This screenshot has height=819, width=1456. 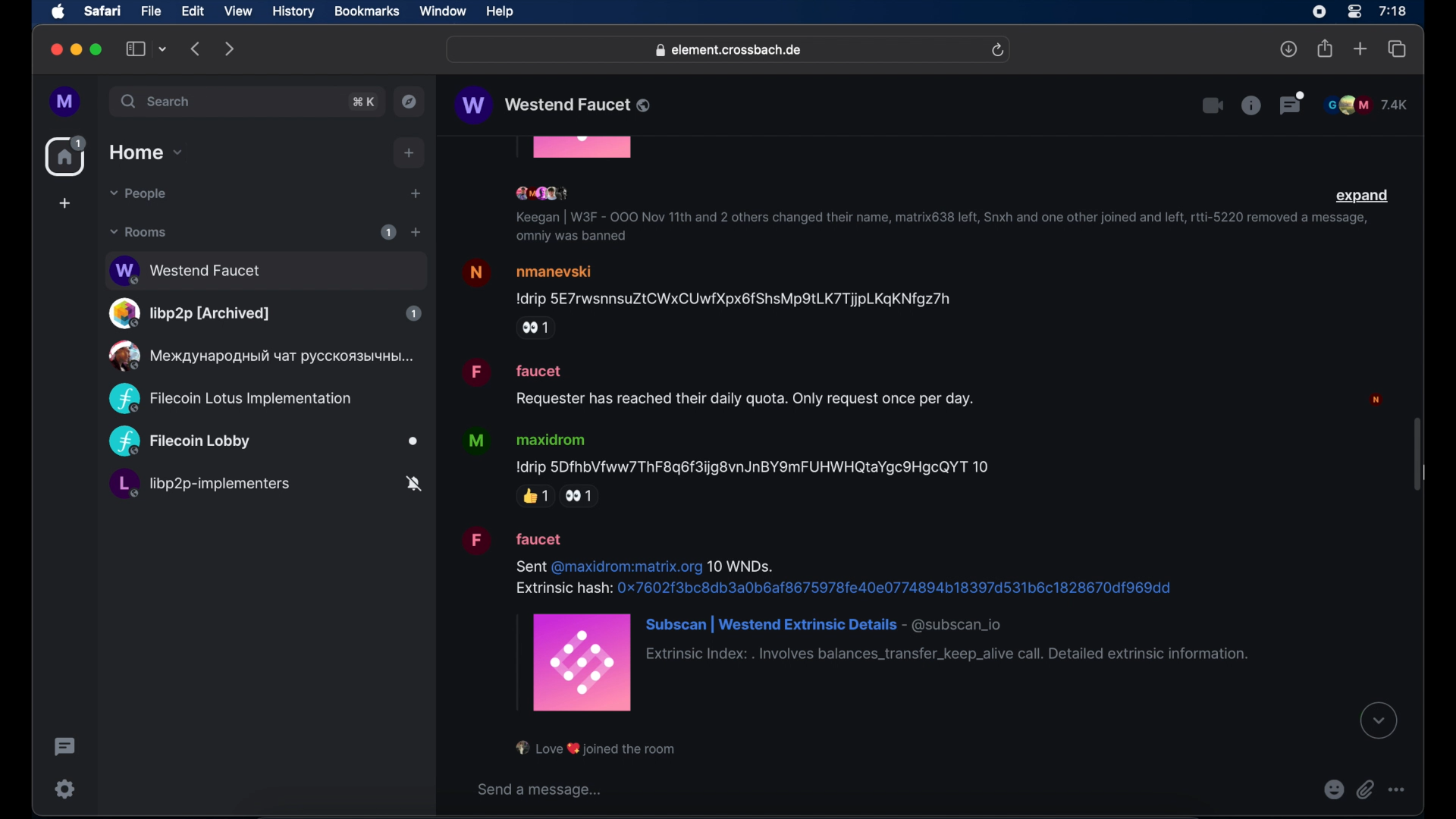 I want to click on share, so click(x=1326, y=49).